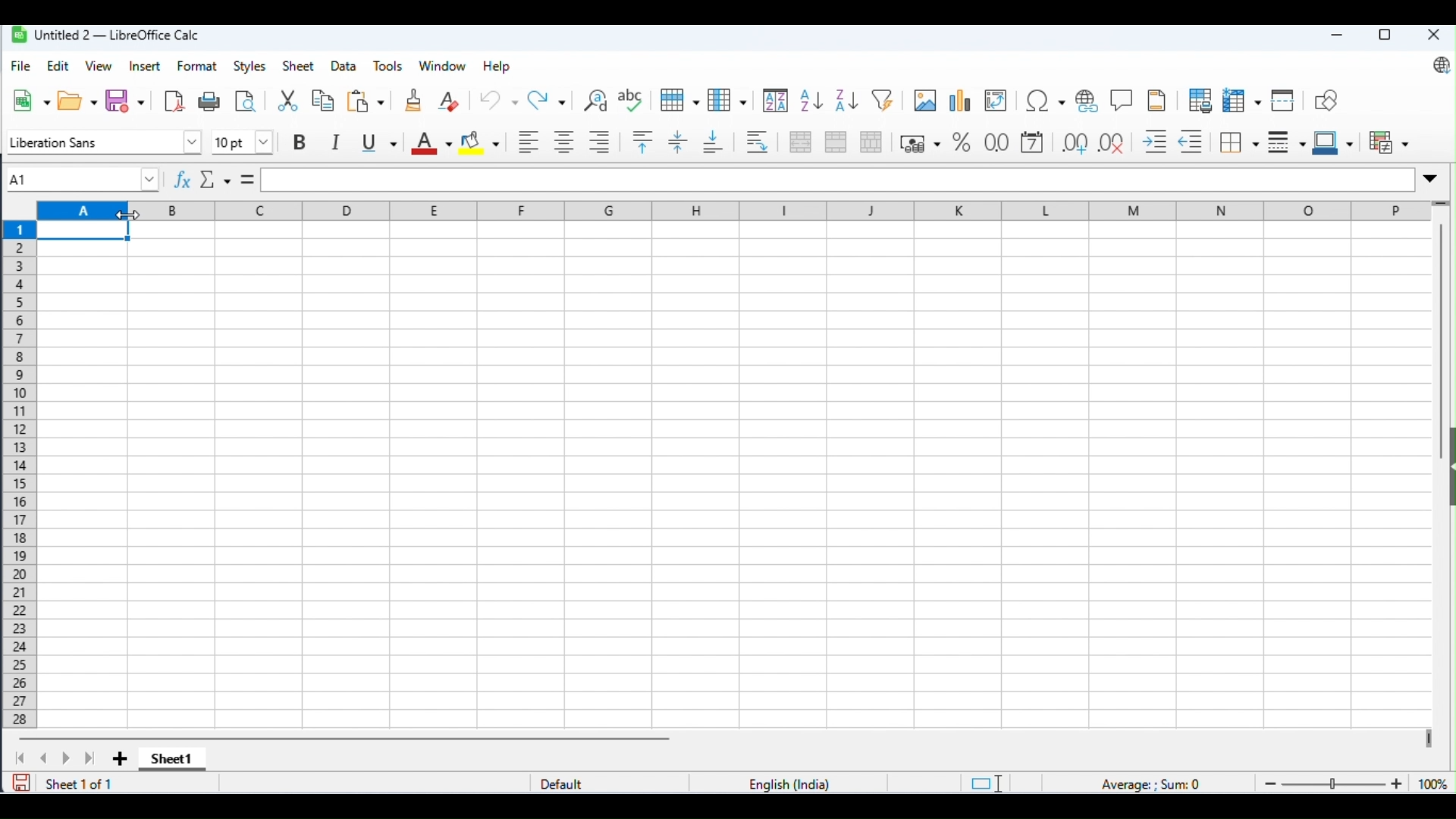 The width and height of the screenshot is (1456, 819). I want to click on language, so click(792, 783).